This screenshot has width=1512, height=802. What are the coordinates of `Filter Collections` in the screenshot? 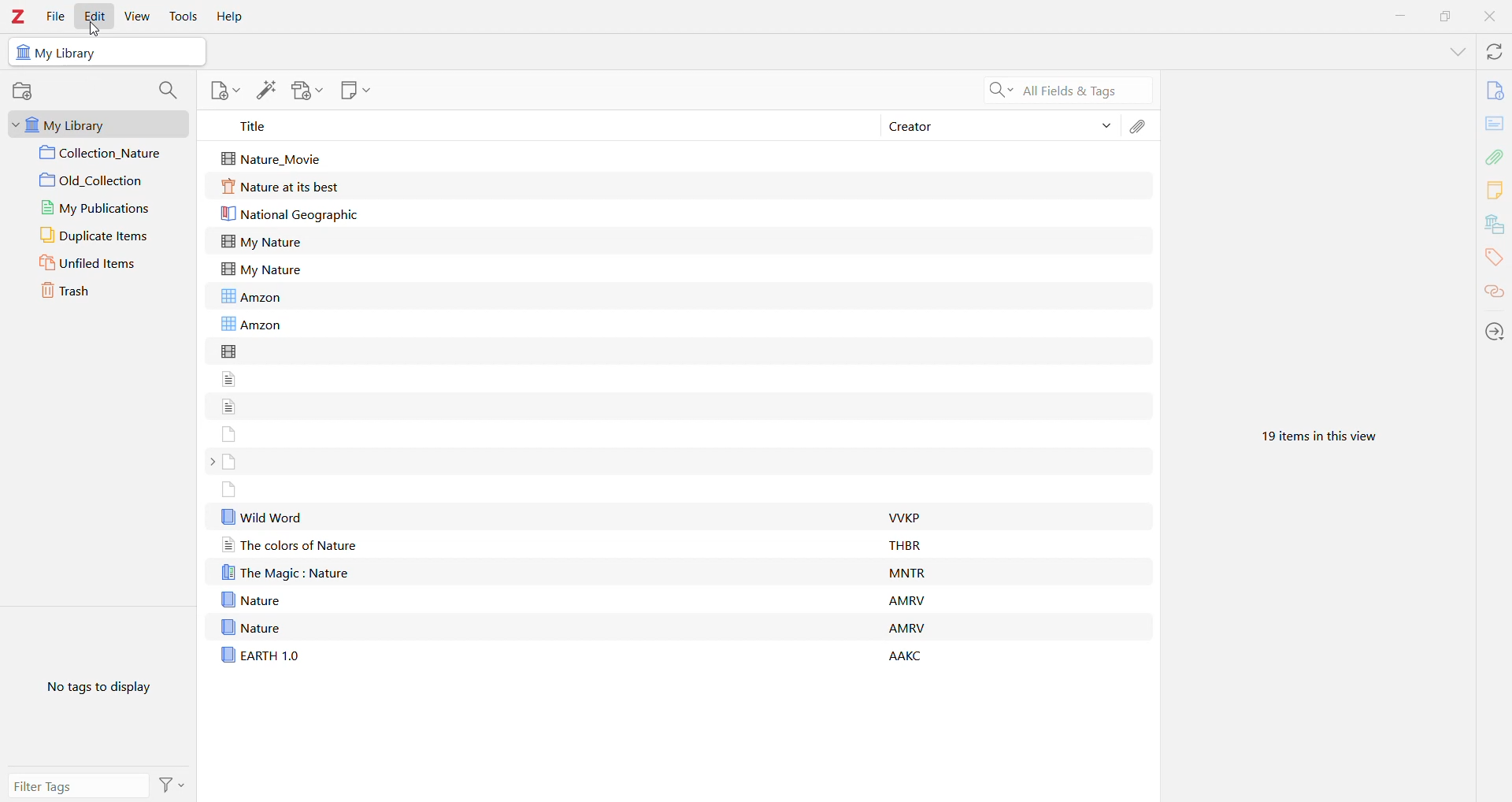 It's located at (167, 91).